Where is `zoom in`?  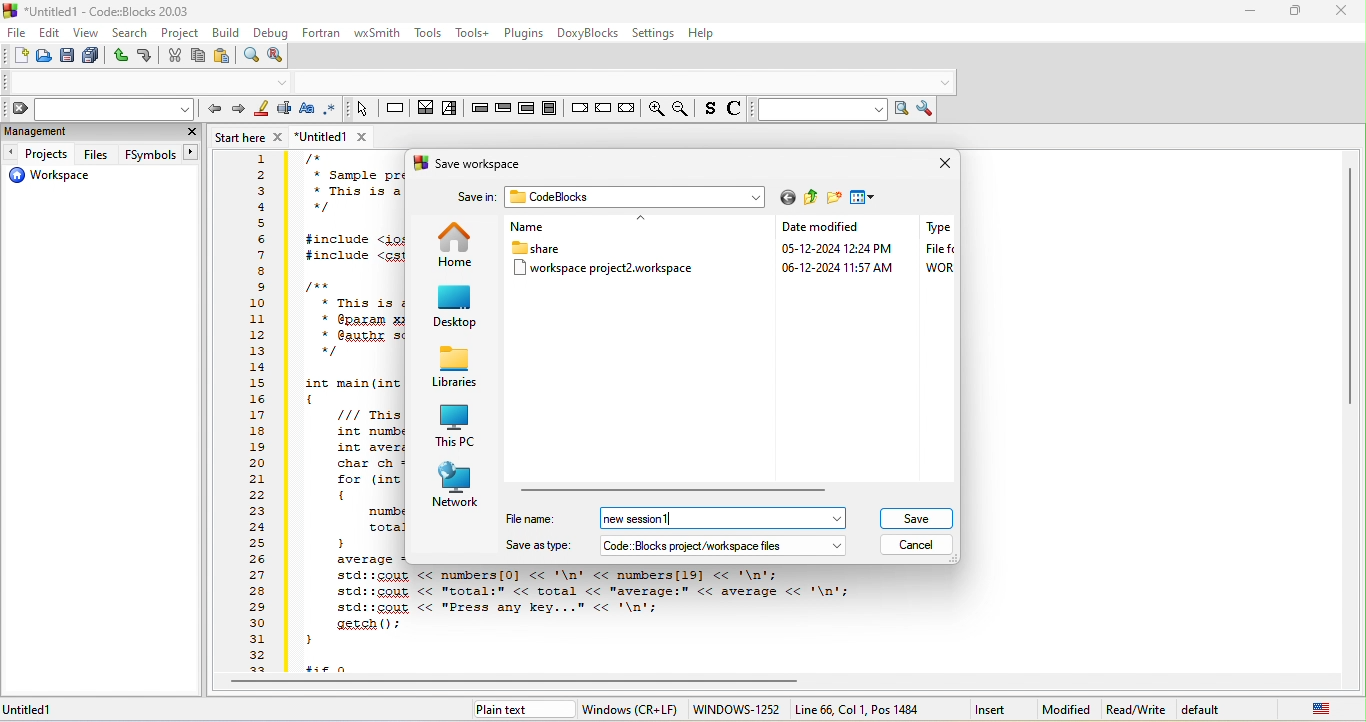 zoom in is located at coordinates (655, 108).